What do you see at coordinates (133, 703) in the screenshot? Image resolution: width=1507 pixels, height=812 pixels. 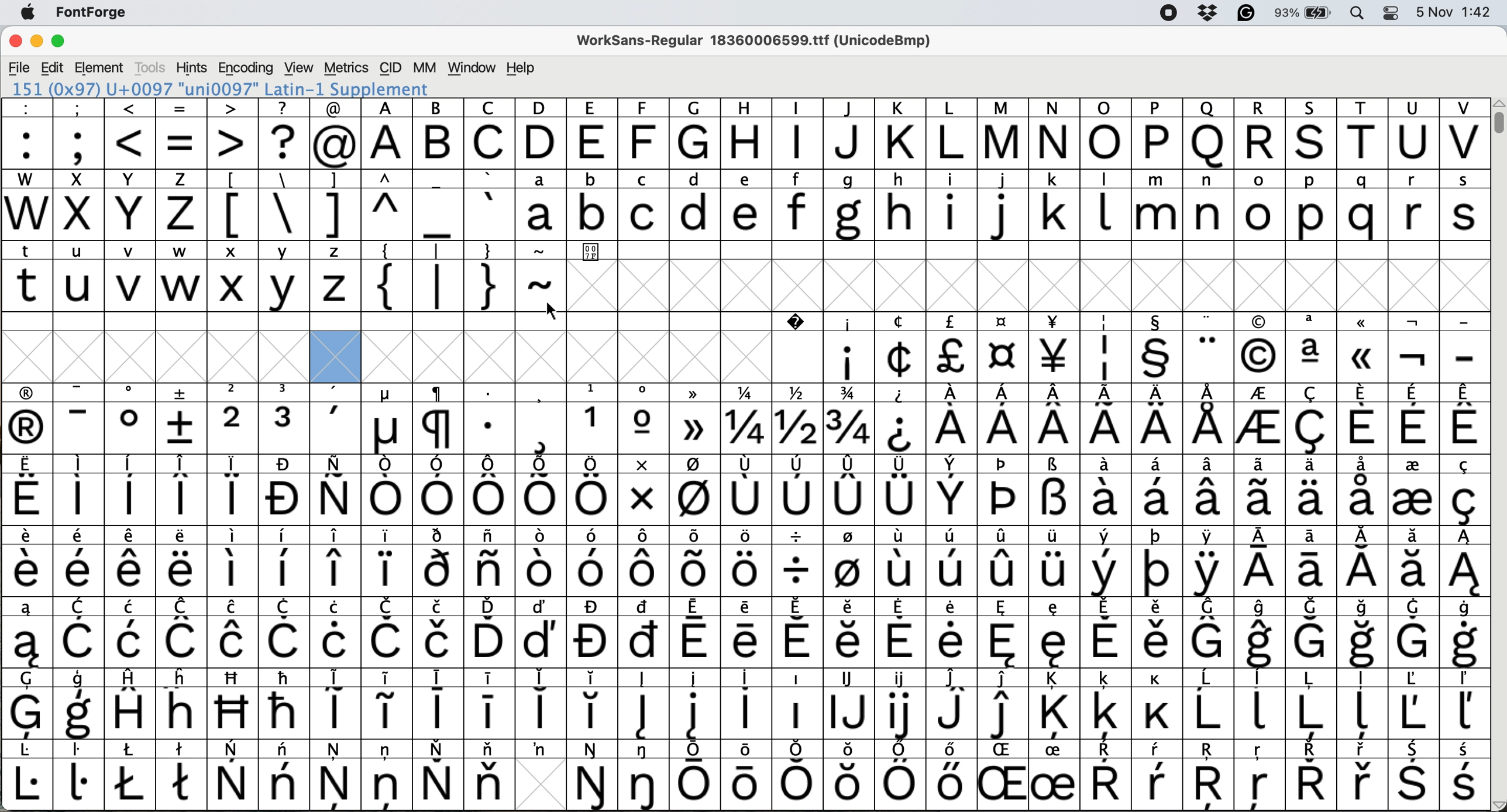 I see `symbol` at bounding box center [133, 703].